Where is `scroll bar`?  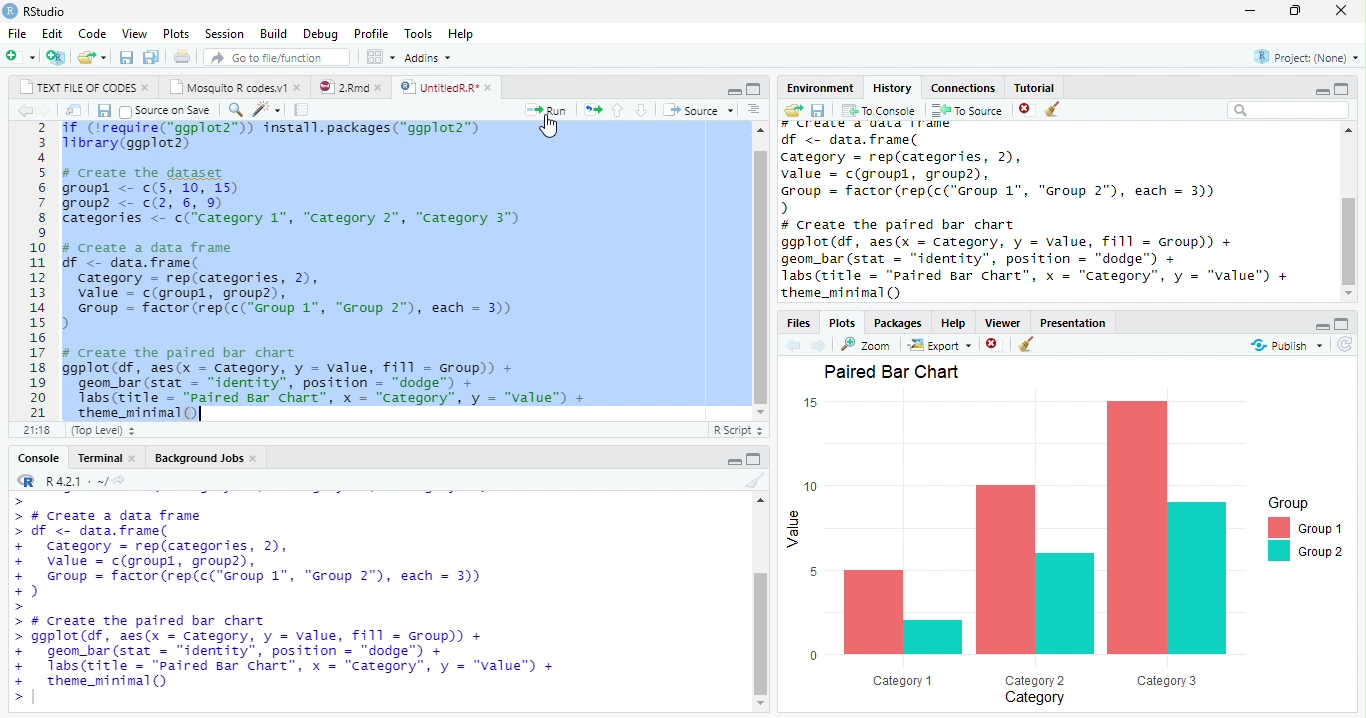
scroll bar is located at coordinates (761, 277).